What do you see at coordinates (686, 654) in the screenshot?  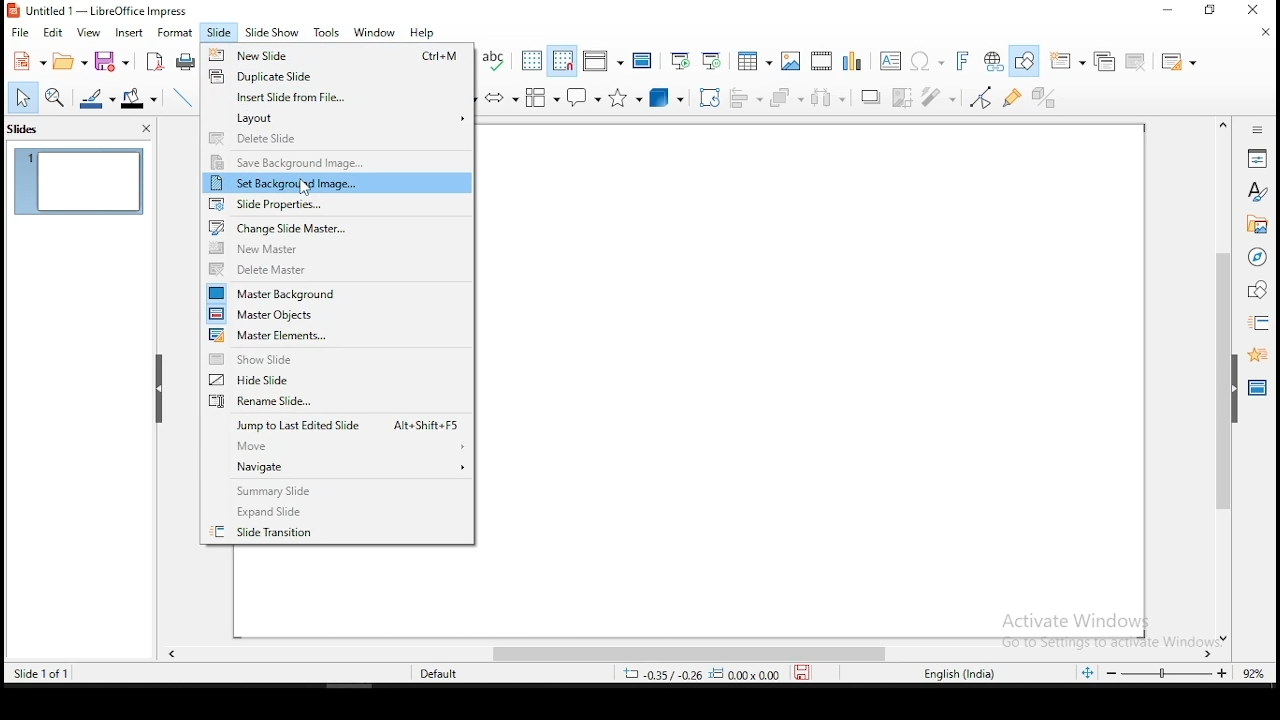 I see `scroll bar` at bounding box center [686, 654].